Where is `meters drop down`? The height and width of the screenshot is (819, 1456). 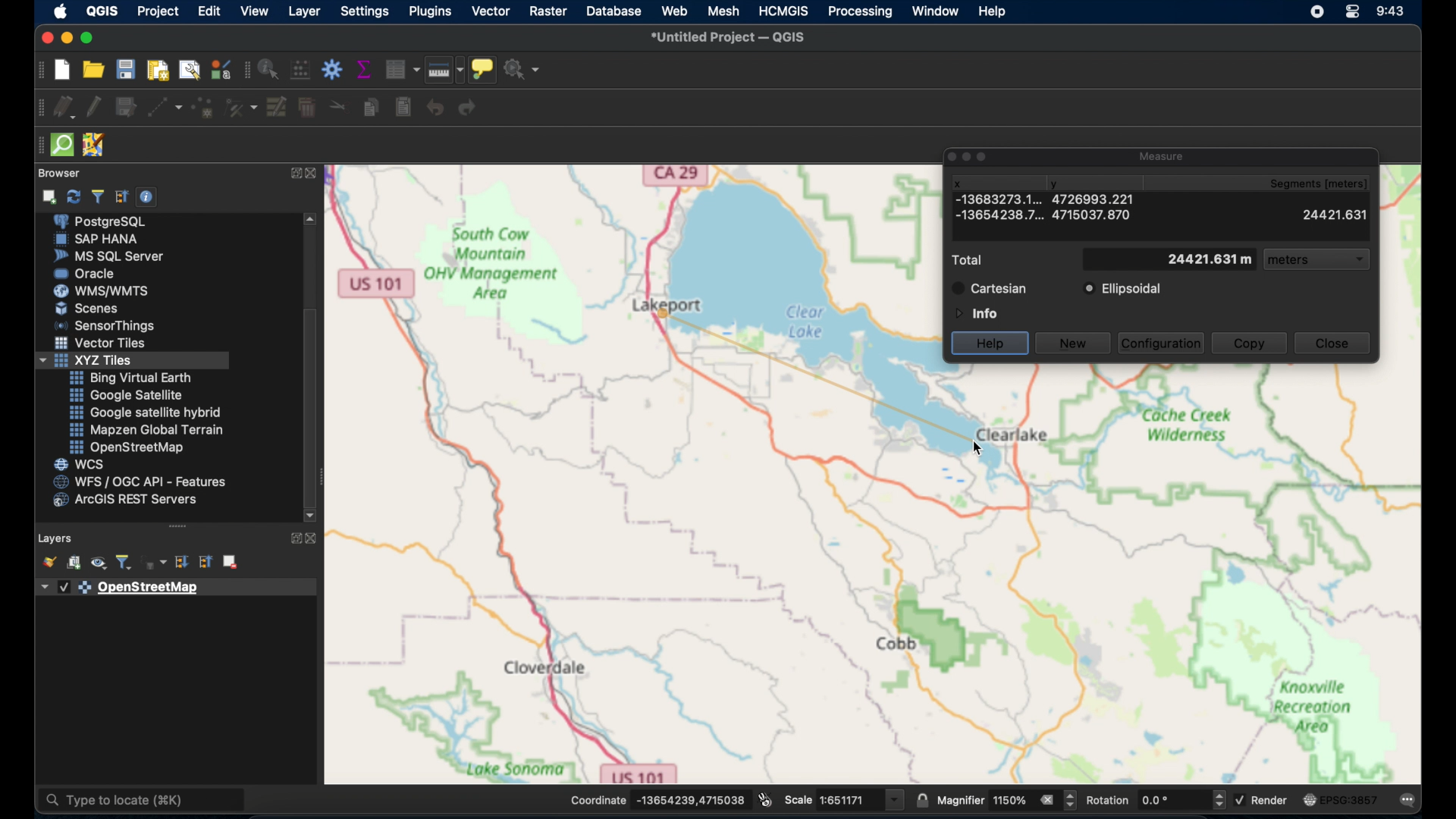 meters drop down is located at coordinates (1319, 261).